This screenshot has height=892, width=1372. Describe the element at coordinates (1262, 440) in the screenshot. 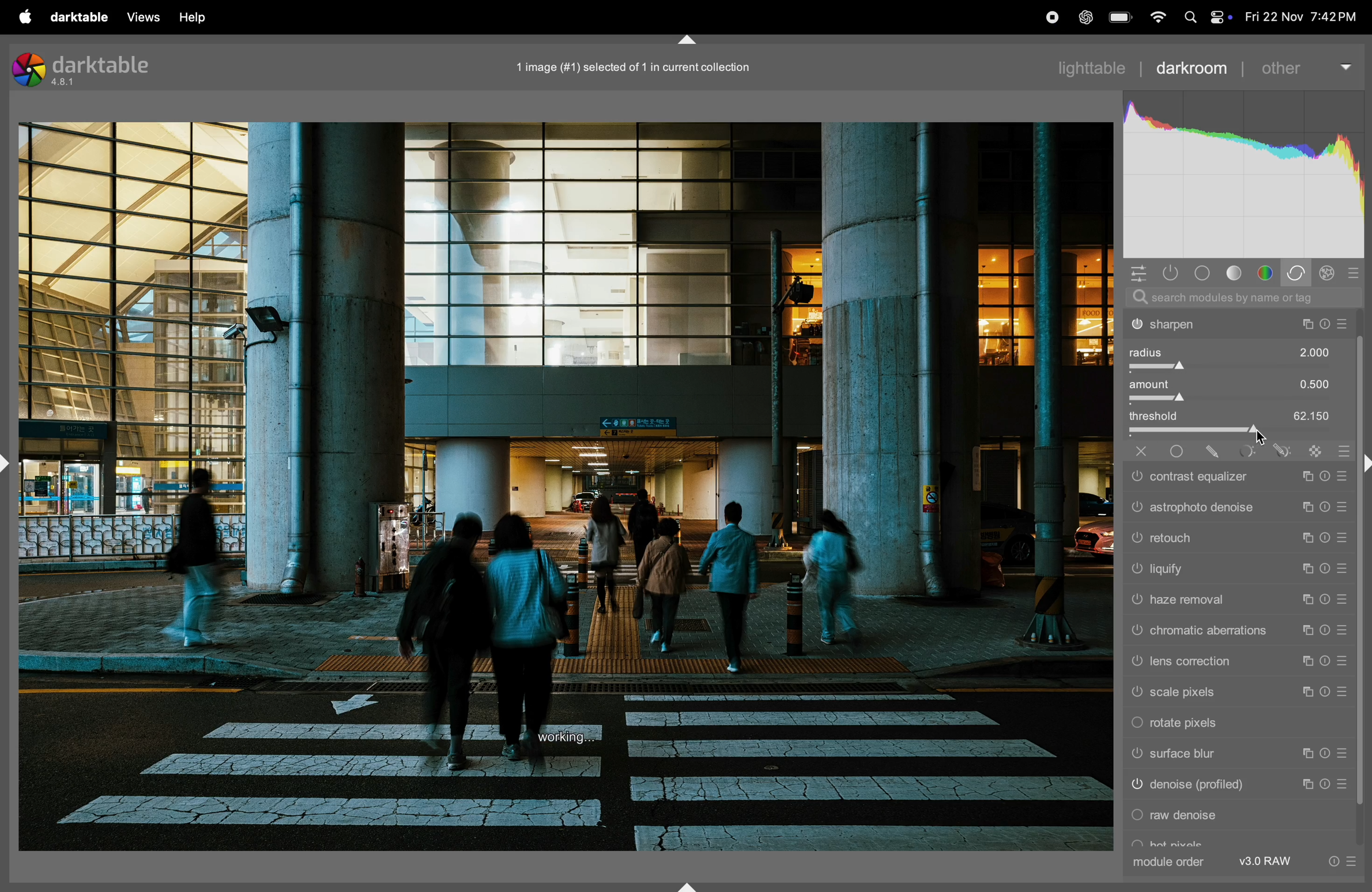

I see `cursor` at that location.